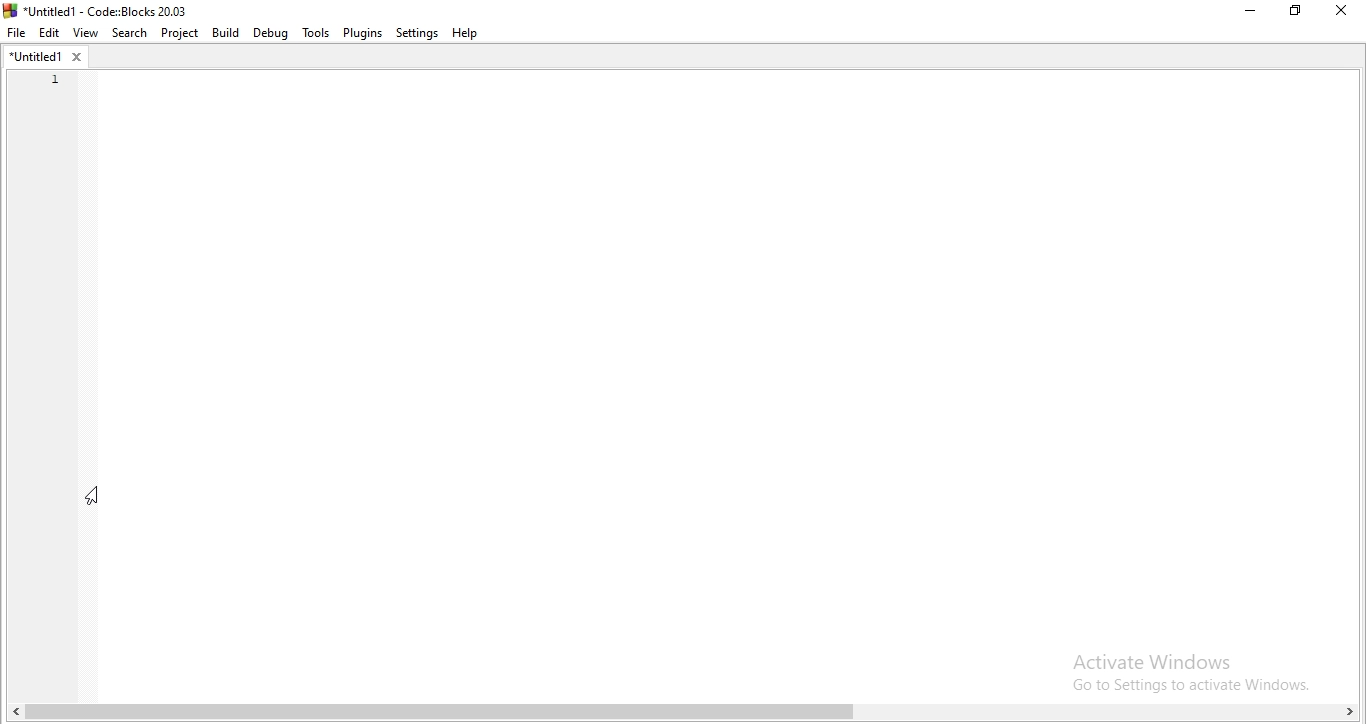 The image size is (1366, 724). I want to click on File, so click(17, 31).